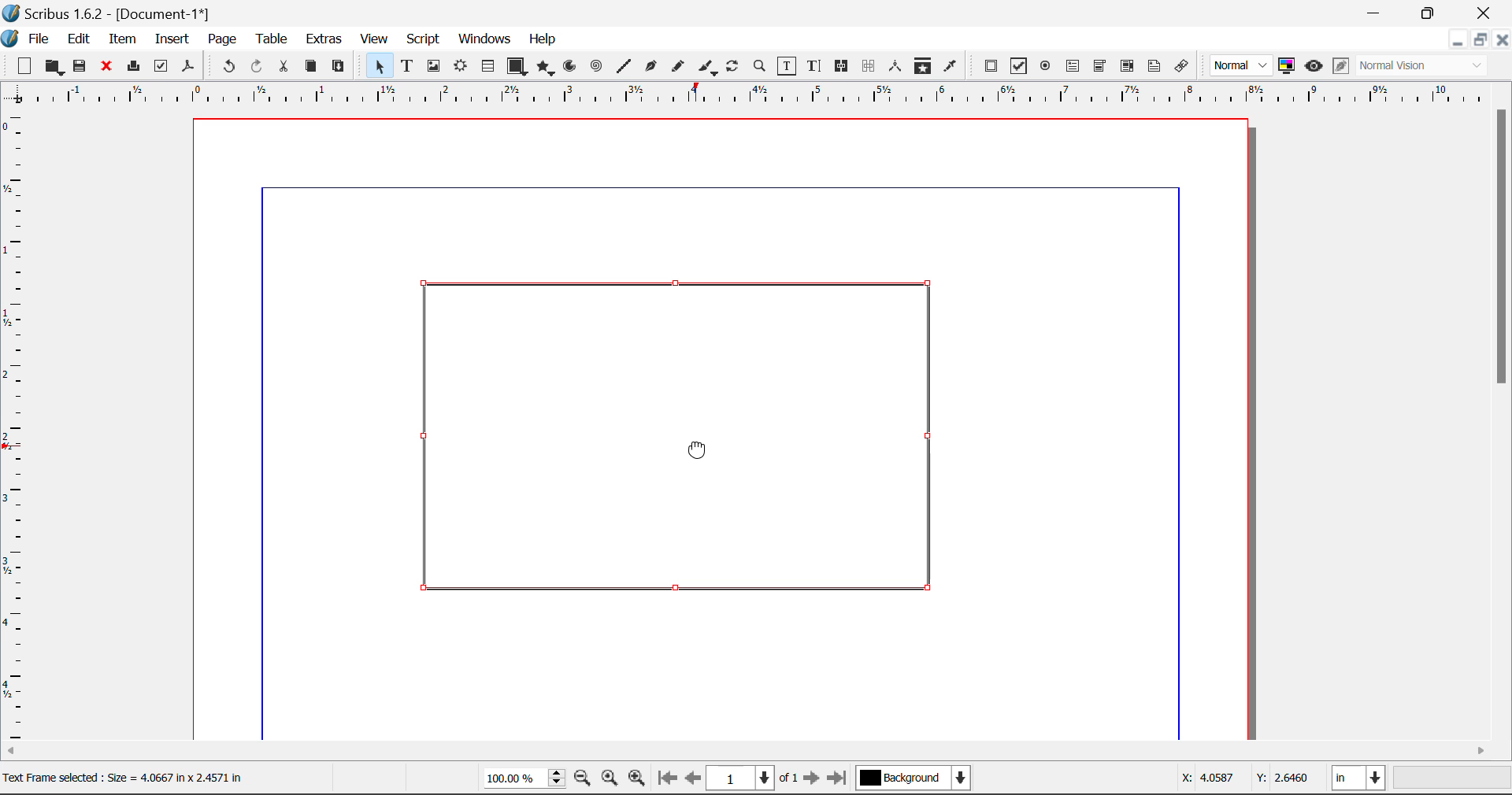 This screenshot has width=1512, height=795. Describe the element at coordinates (637, 780) in the screenshot. I see `Zoom In` at that location.